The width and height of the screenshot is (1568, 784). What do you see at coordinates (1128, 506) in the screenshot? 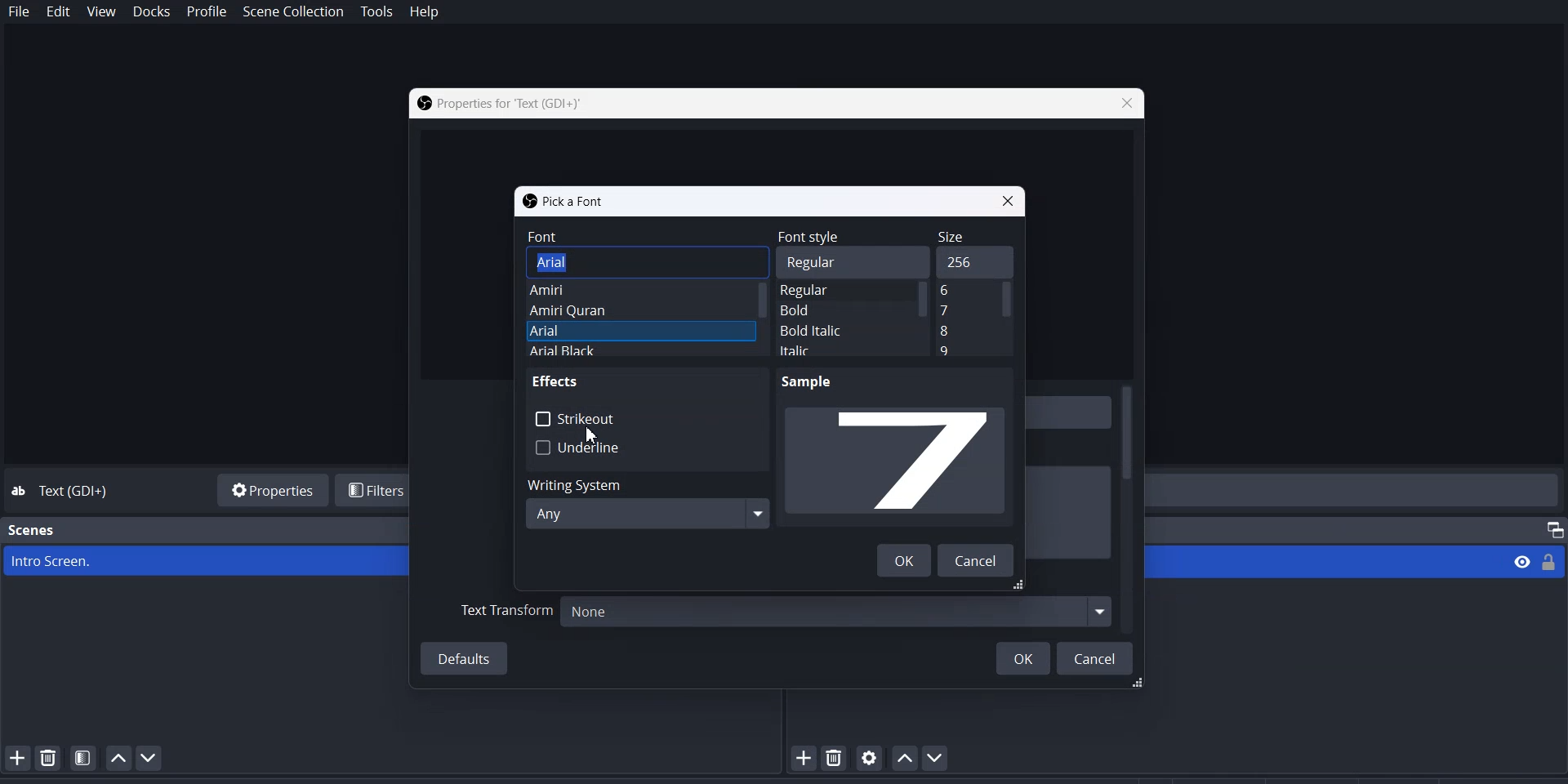
I see `Vertical Scroll bar` at bounding box center [1128, 506].